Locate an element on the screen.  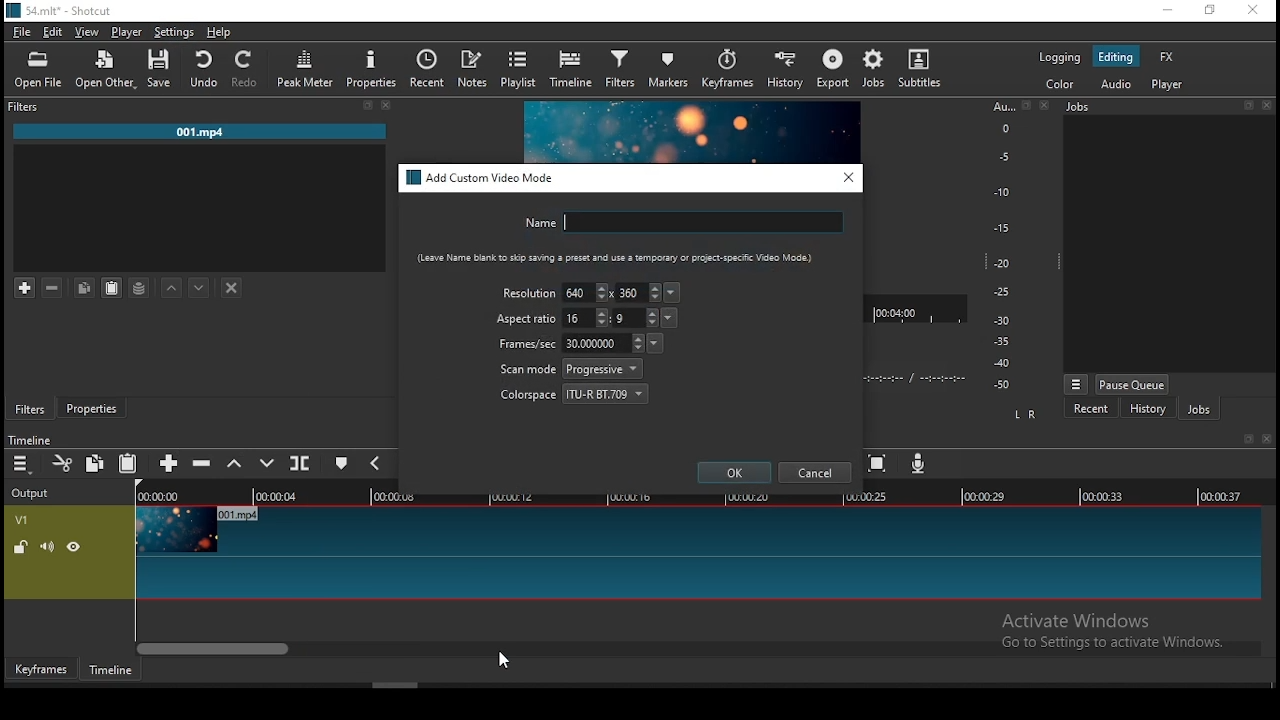
Au... is located at coordinates (1000, 106).